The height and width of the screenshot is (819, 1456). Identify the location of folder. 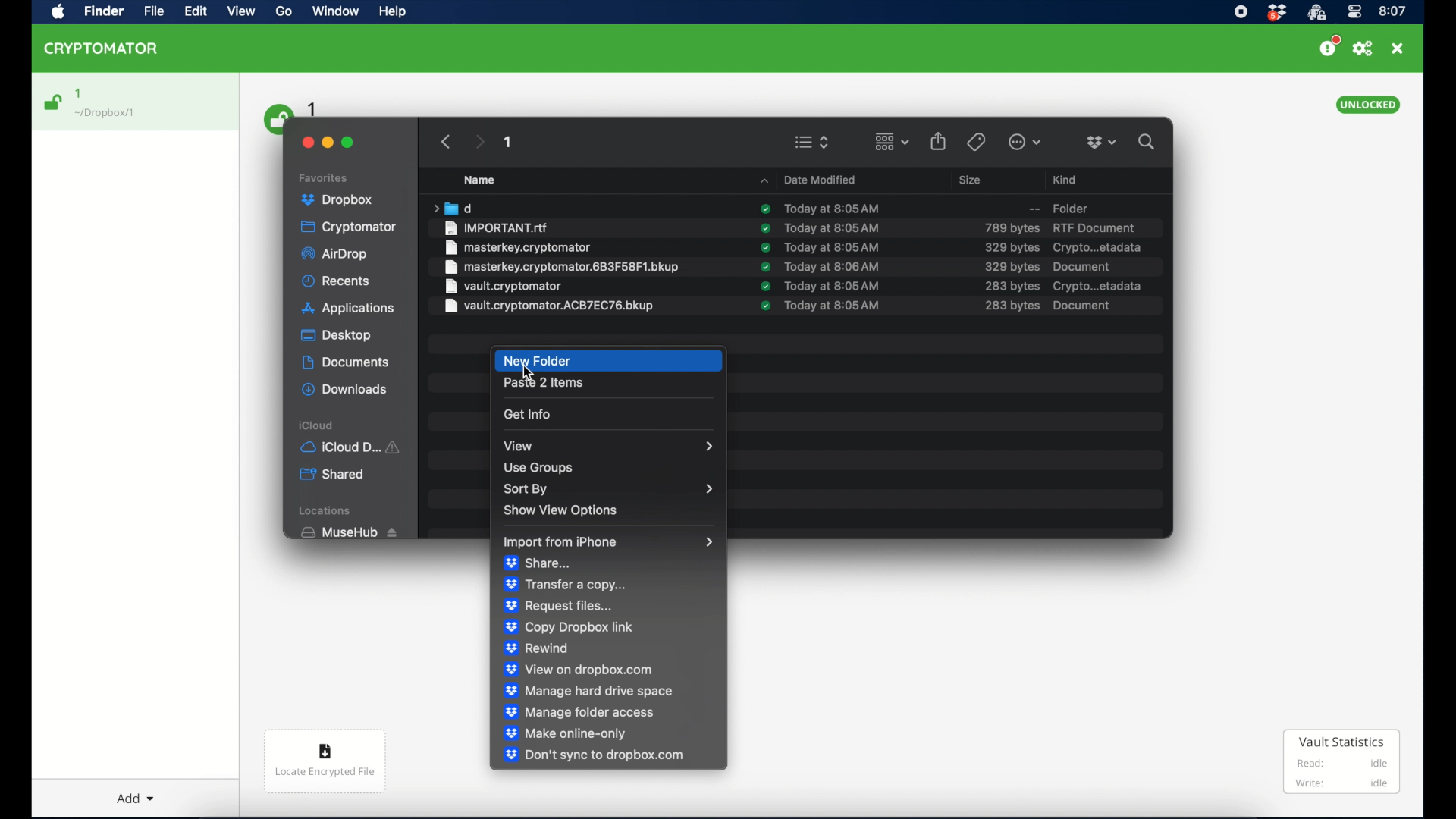
(451, 208).